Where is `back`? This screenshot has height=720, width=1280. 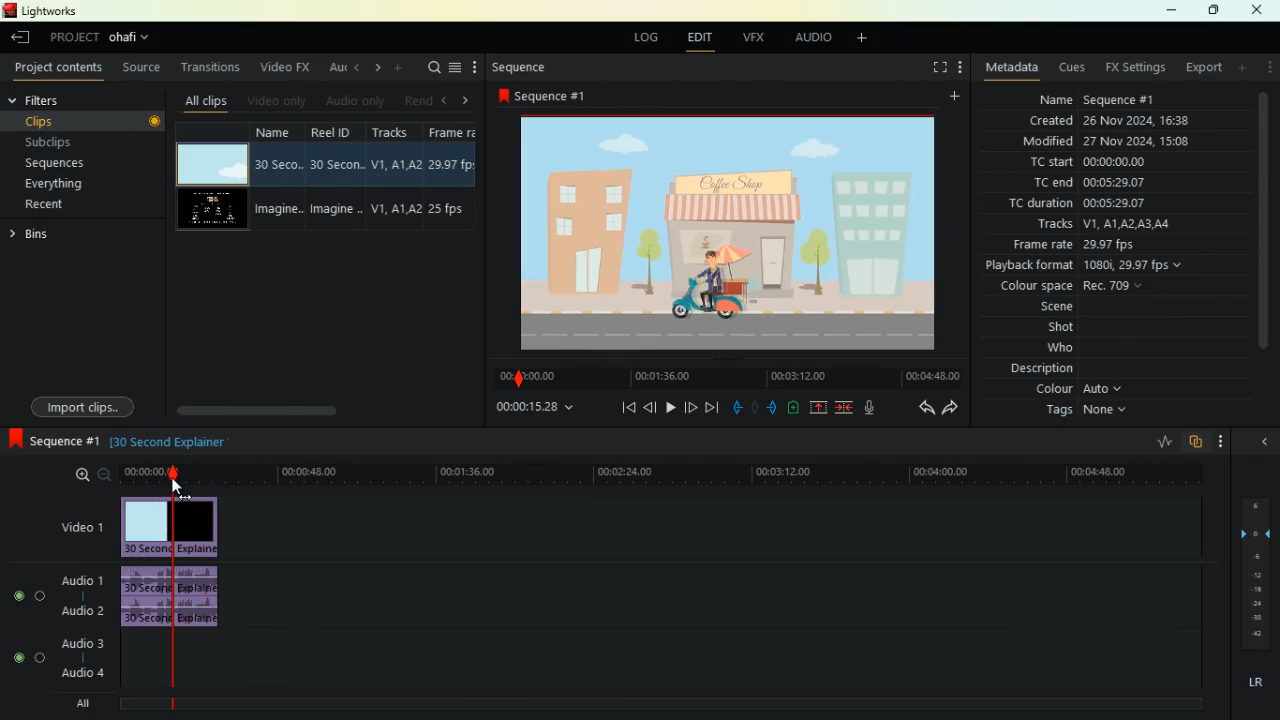
back is located at coordinates (22, 39).